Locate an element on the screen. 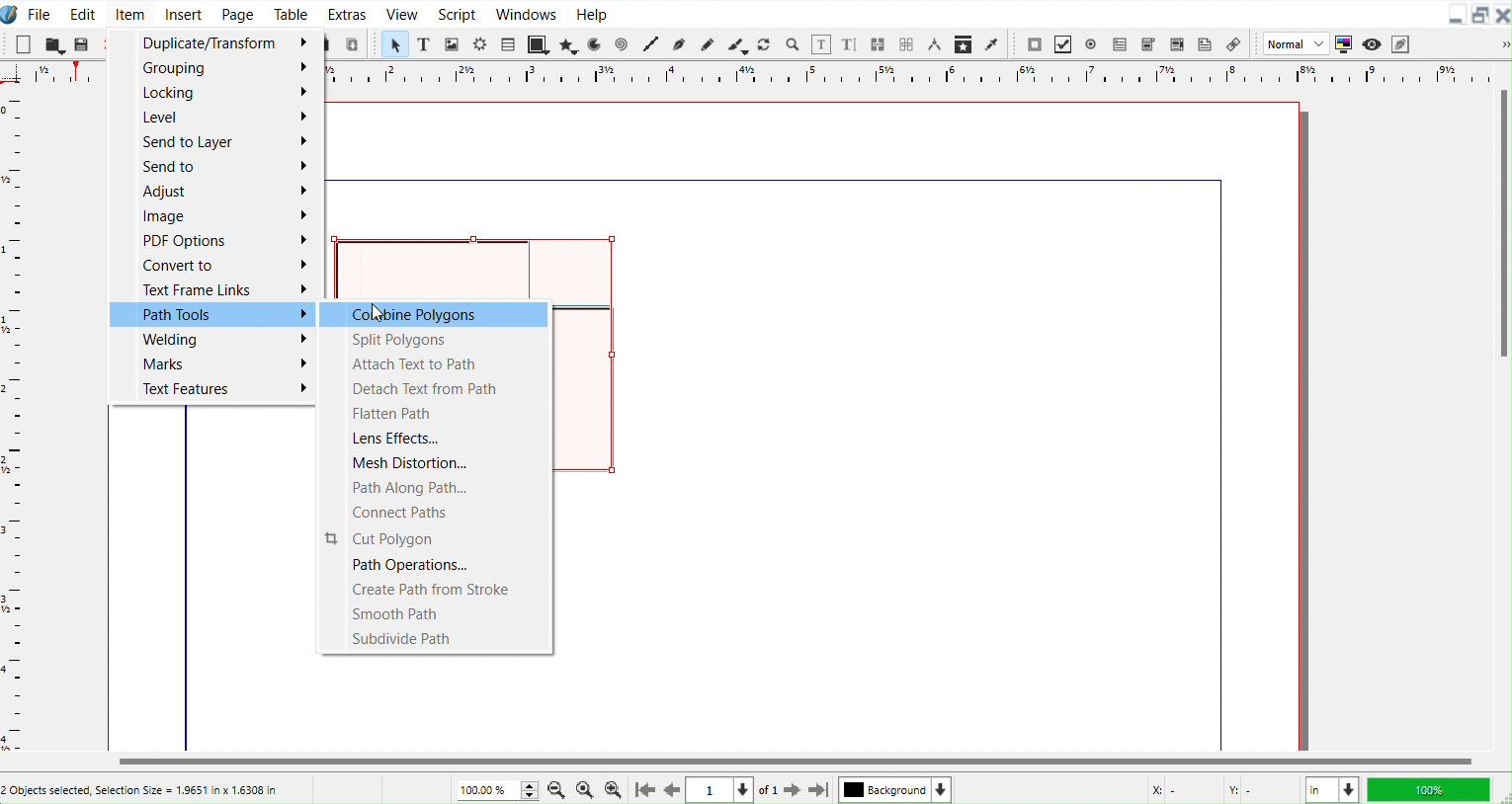 The height and width of the screenshot is (804, 1512). Copy Item Properties is located at coordinates (966, 43).